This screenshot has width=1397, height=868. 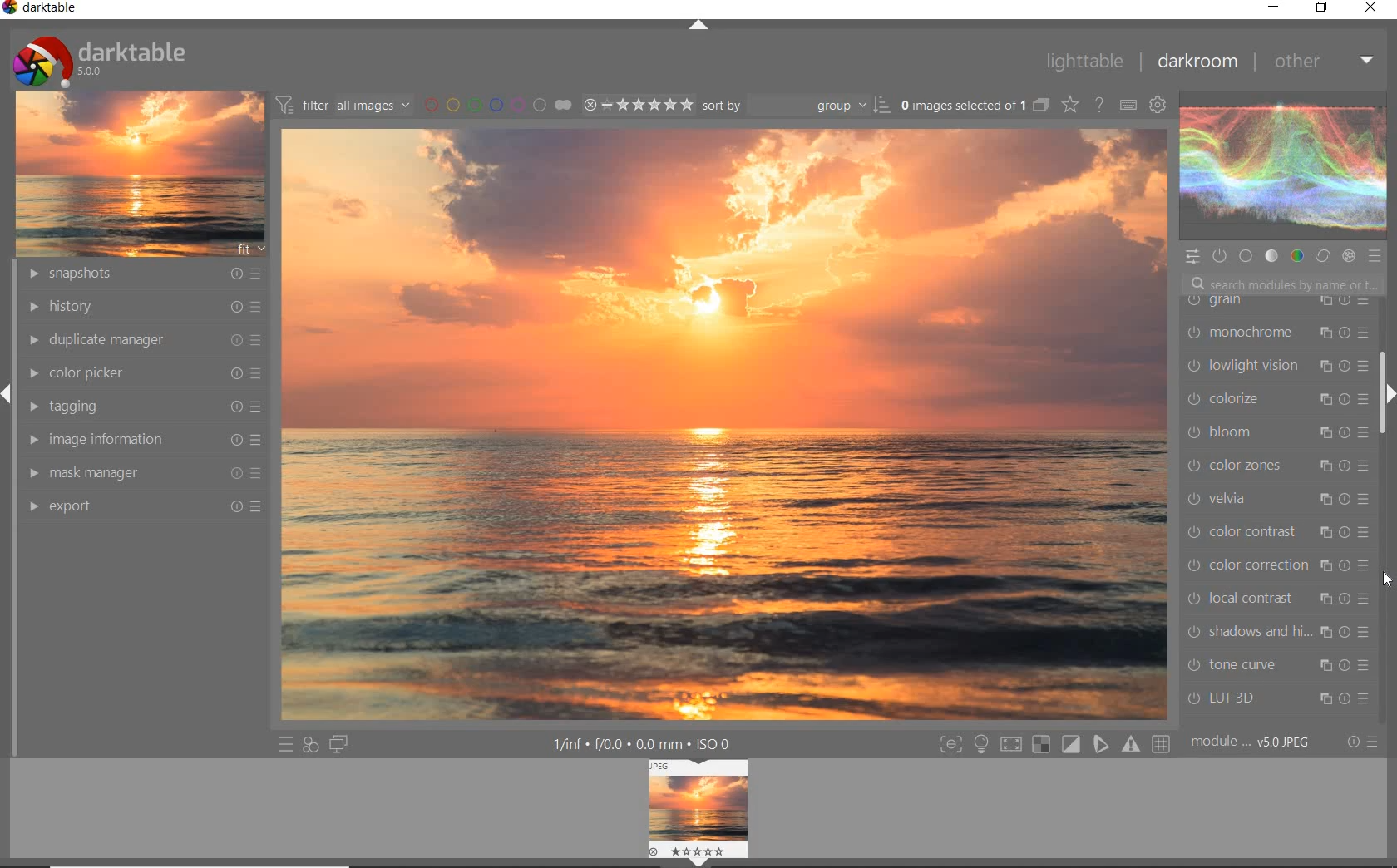 What do you see at coordinates (1321, 8) in the screenshot?
I see `restore` at bounding box center [1321, 8].